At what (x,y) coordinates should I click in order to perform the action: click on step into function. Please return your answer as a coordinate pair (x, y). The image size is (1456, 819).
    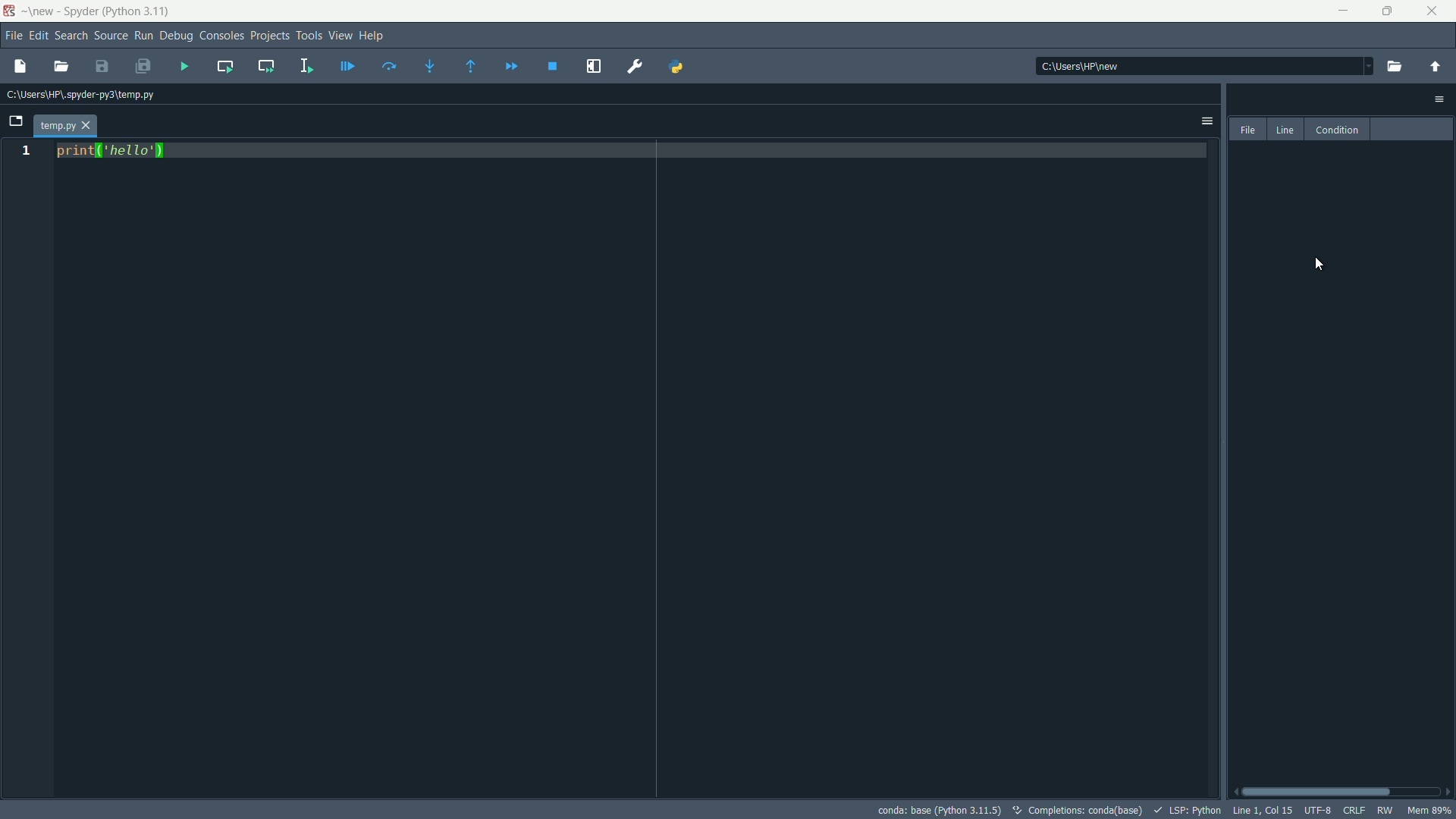
    Looking at the image, I should click on (430, 66).